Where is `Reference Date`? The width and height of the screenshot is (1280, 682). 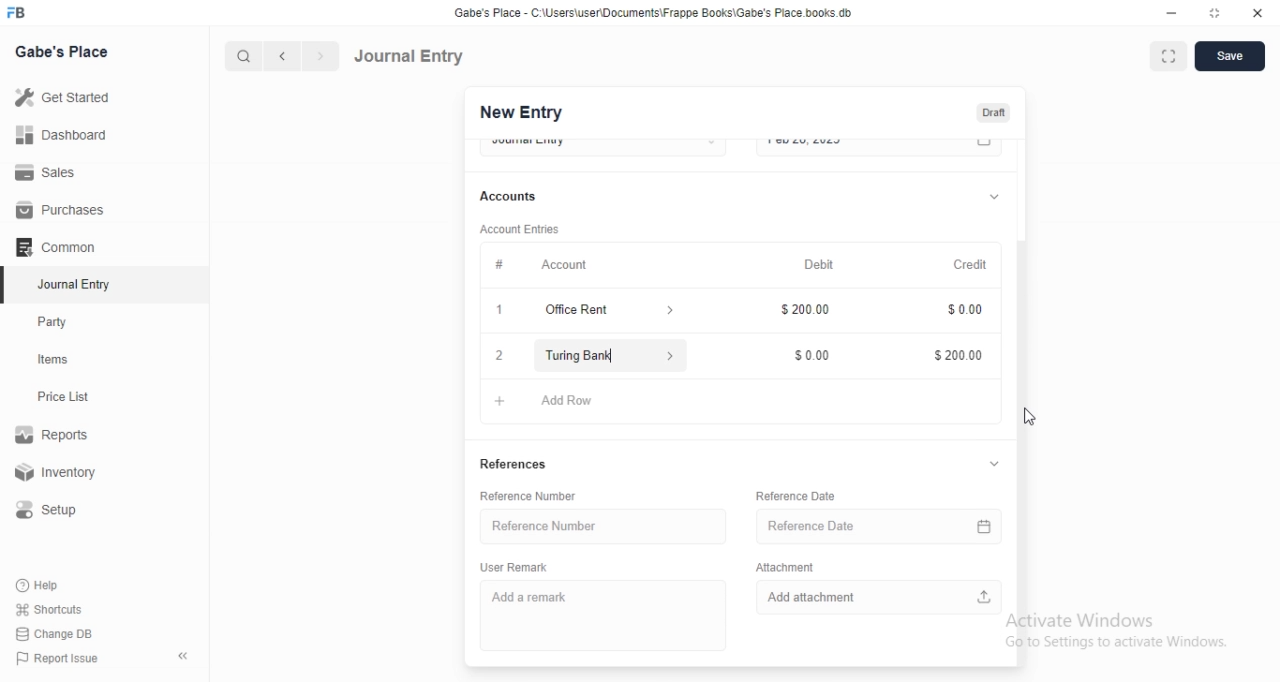 Reference Date is located at coordinates (801, 492).